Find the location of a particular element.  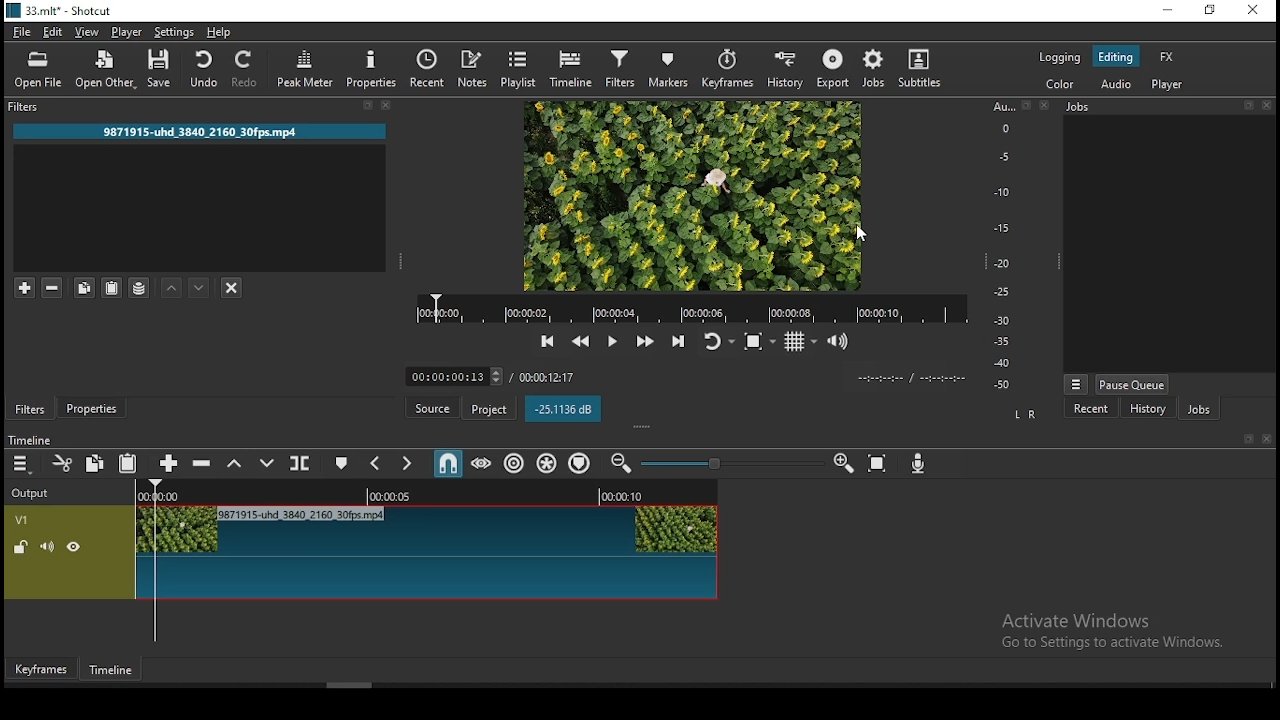

33.mlt* - Shotcut is located at coordinates (56, 12).